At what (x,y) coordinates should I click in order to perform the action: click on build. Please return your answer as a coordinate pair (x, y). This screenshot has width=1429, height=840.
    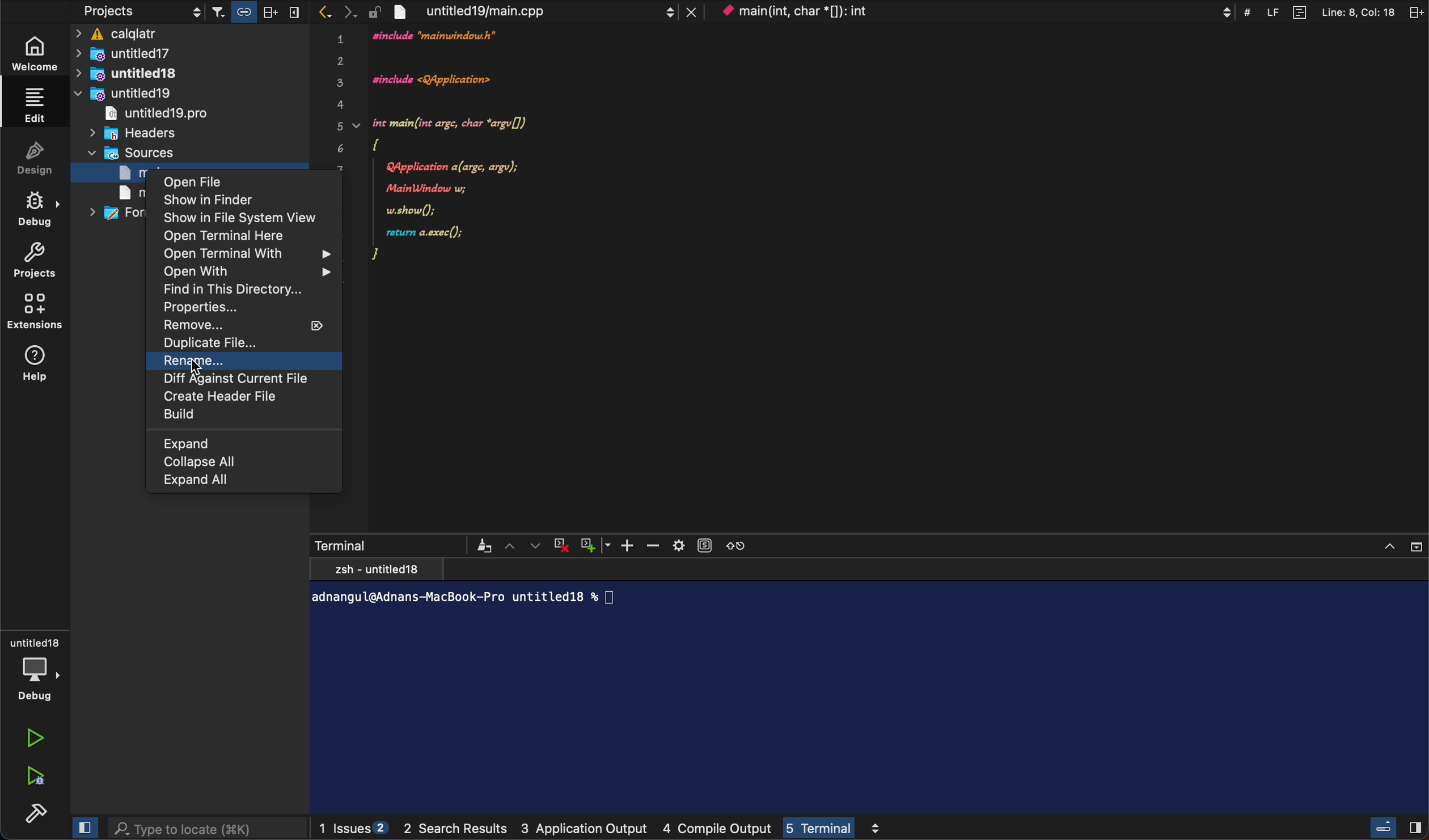
    Looking at the image, I should click on (37, 813).